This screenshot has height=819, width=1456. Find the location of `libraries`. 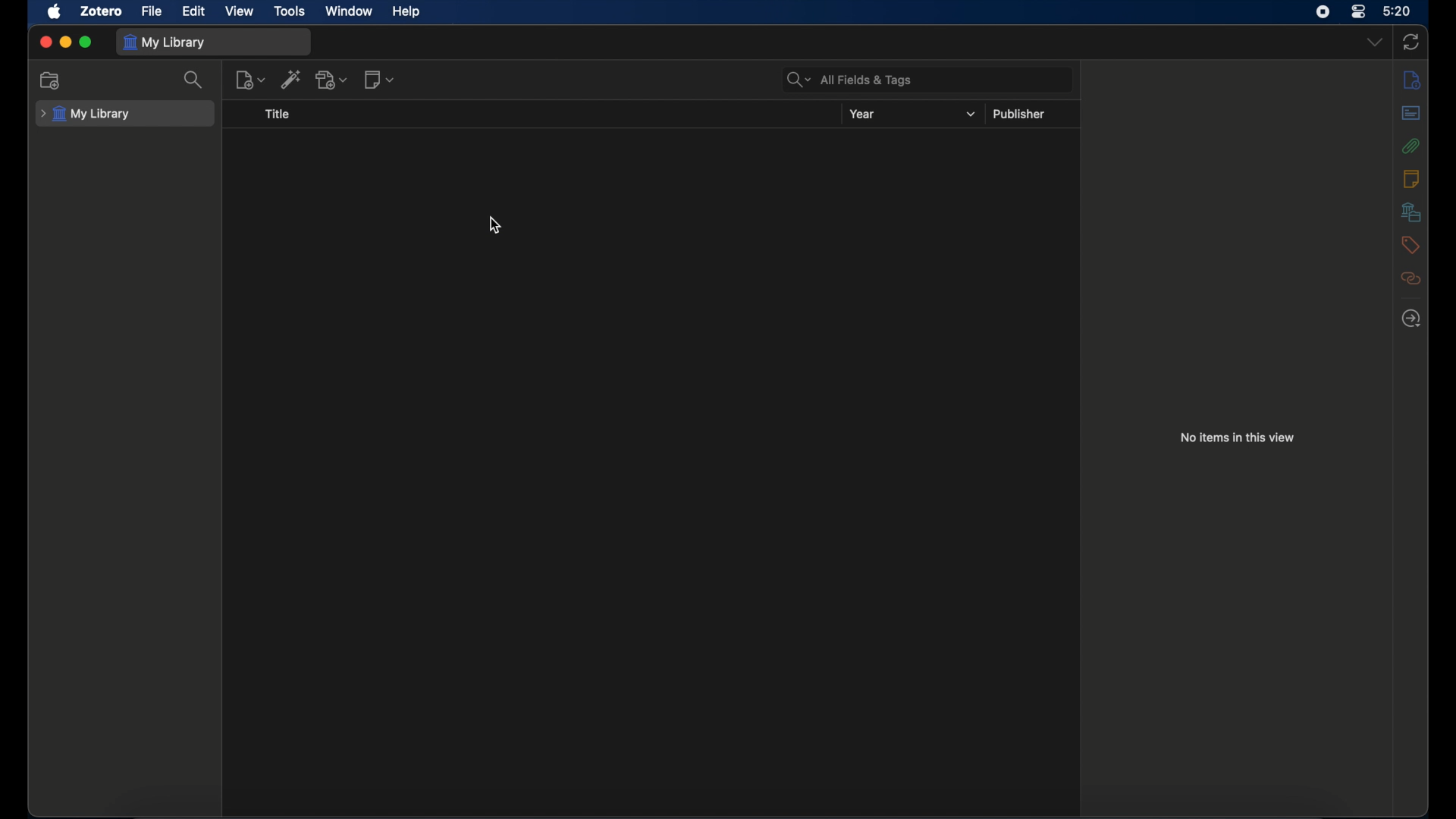

libraries is located at coordinates (1410, 212).